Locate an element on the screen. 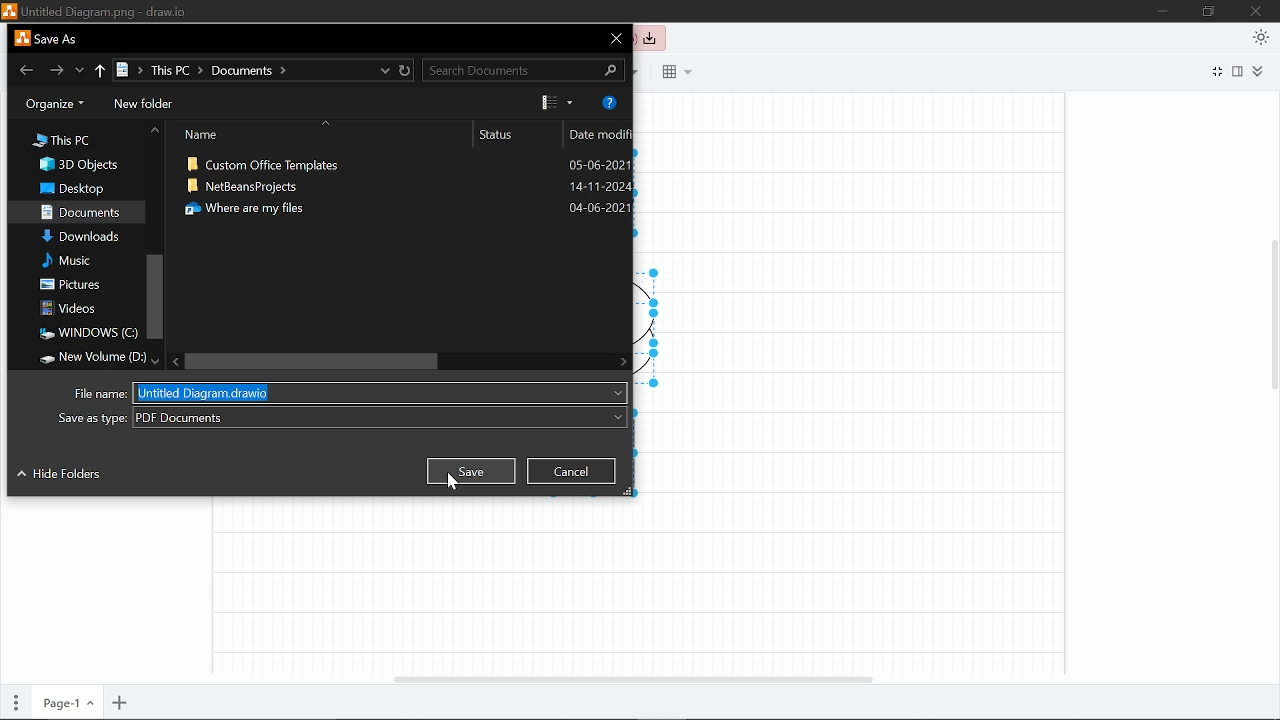 The width and height of the screenshot is (1280, 720). View is located at coordinates (557, 103).